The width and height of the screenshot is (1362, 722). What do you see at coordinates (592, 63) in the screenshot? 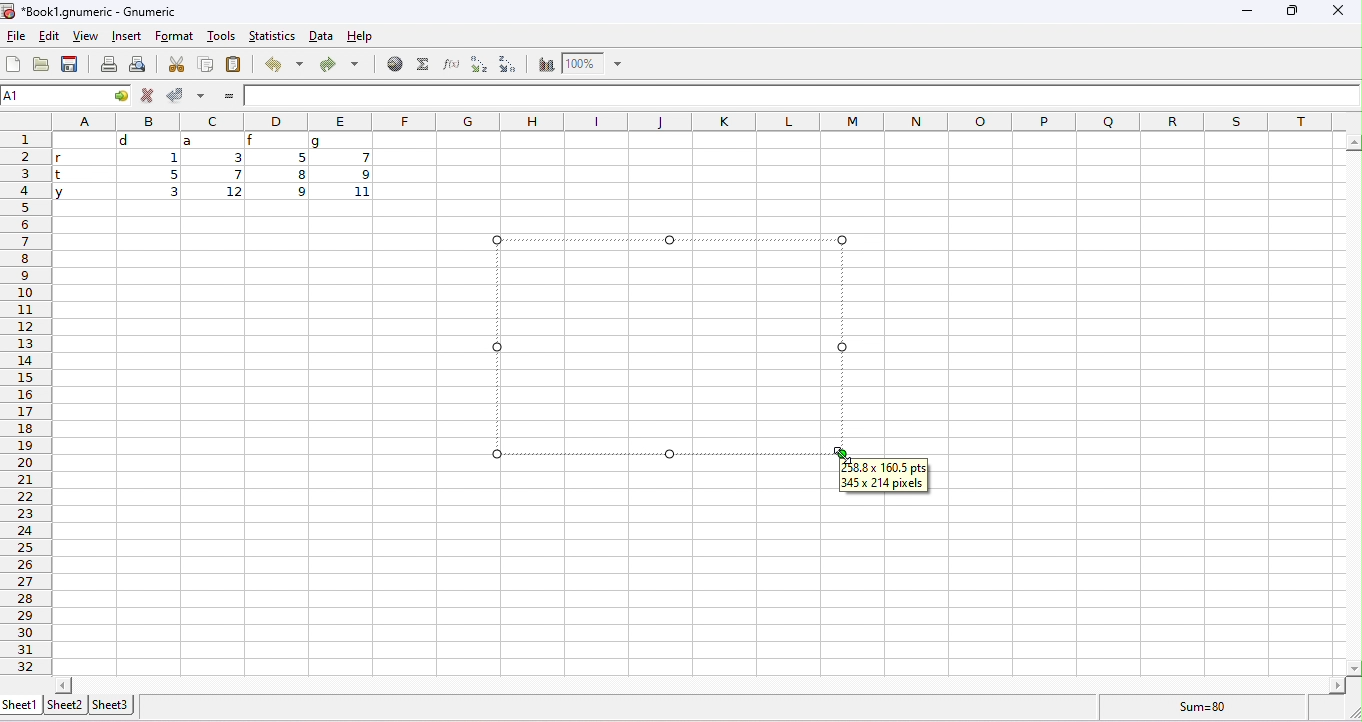
I see `zoom` at bounding box center [592, 63].